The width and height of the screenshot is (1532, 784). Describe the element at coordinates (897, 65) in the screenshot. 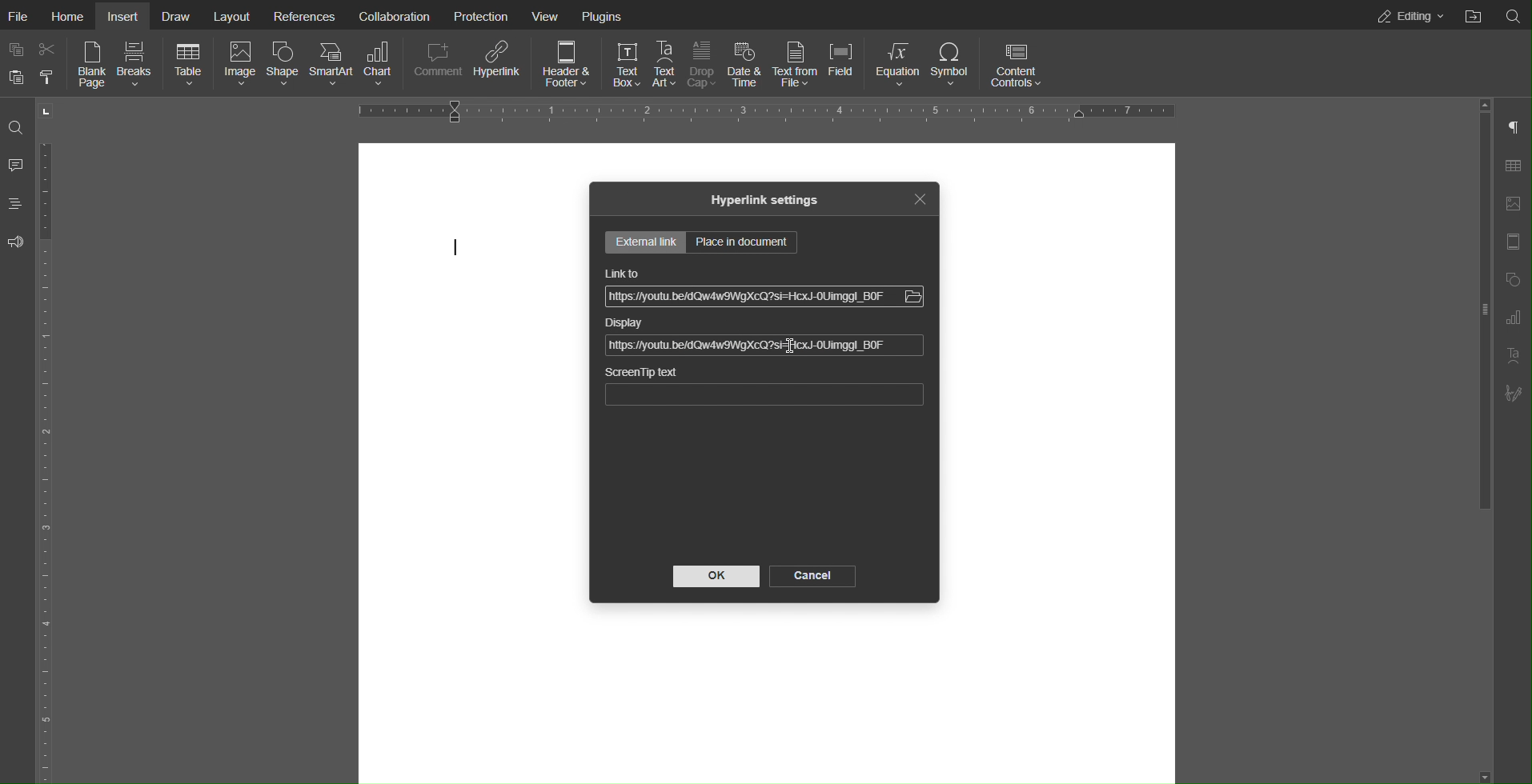

I see `Equation` at that location.